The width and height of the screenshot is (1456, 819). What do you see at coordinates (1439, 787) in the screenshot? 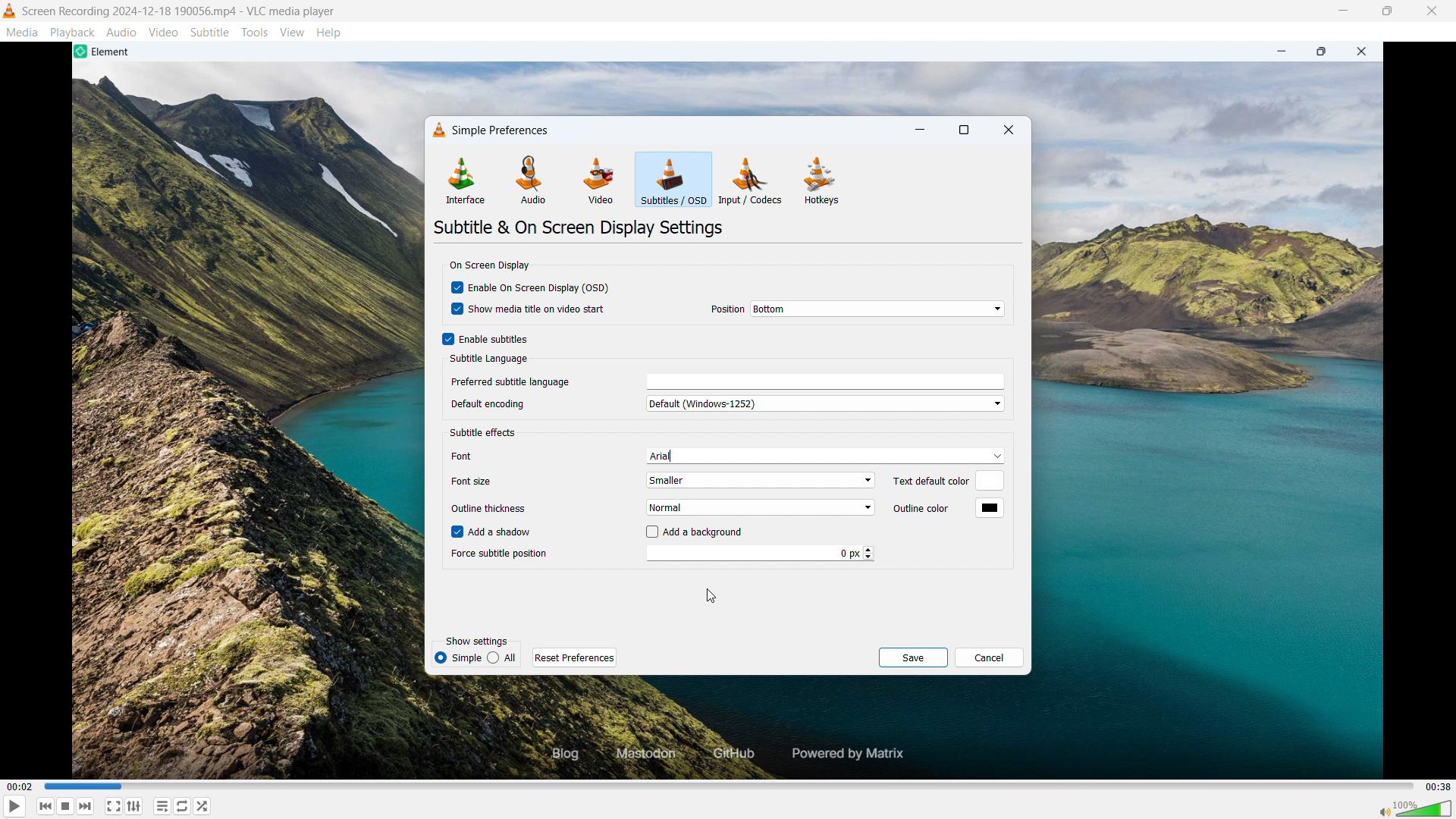
I see `video duration` at bounding box center [1439, 787].